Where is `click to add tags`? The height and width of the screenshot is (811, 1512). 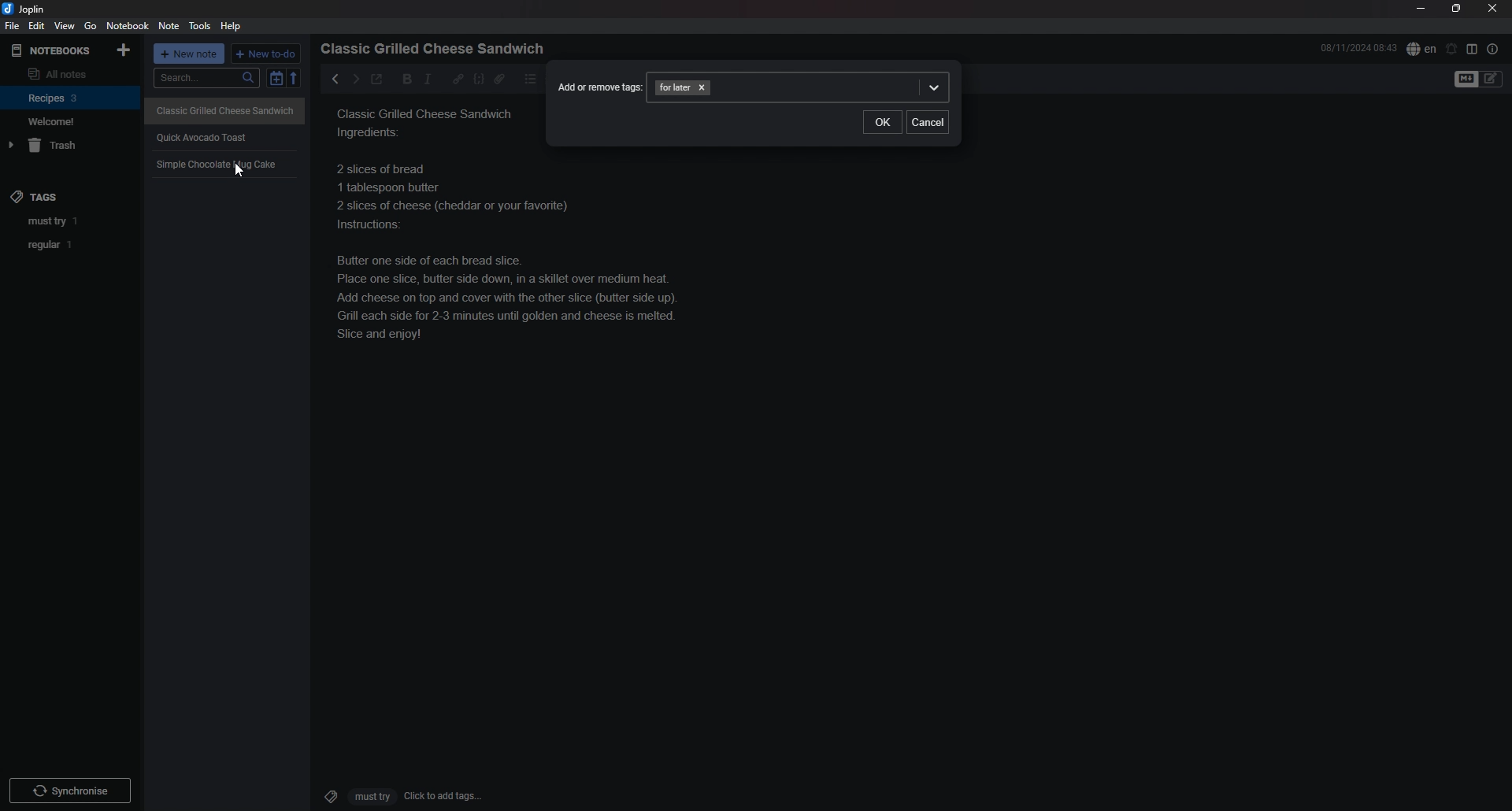 click to add tags is located at coordinates (396, 795).